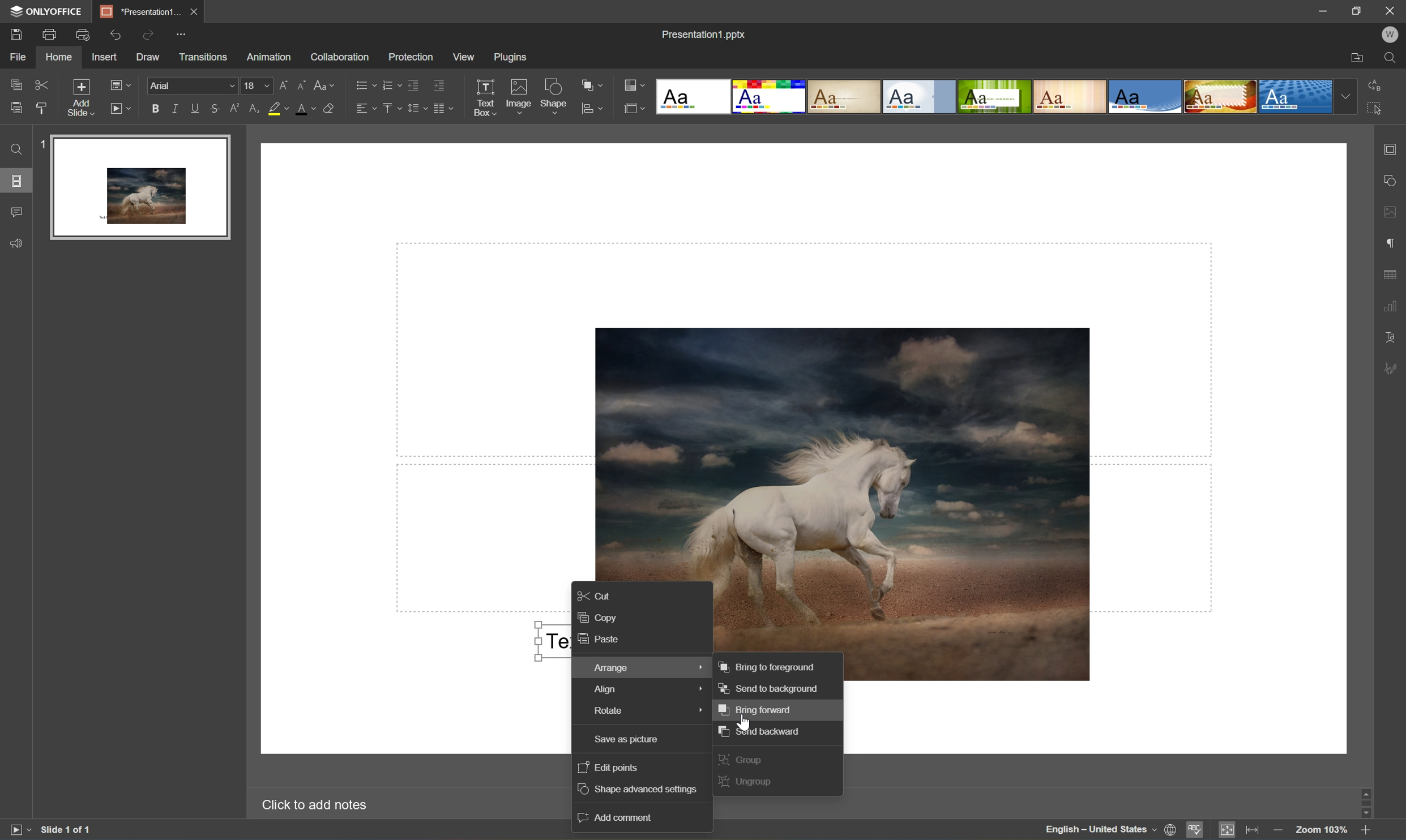 This screenshot has width=1406, height=840. Describe the element at coordinates (182, 36) in the screenshot. I see `Customize quick access toolbar` at that location.